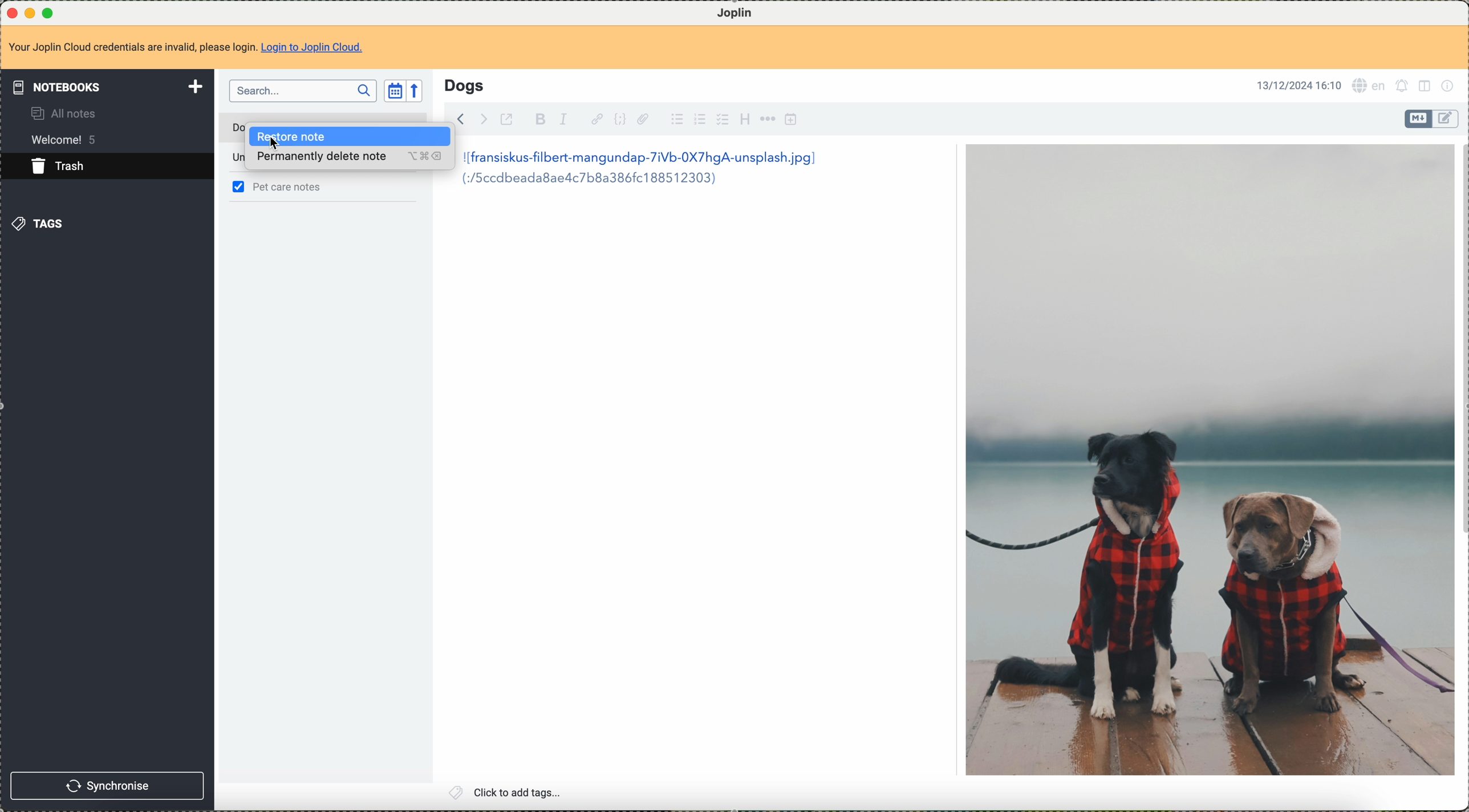 The image size is (1469, 812). Describe the element at coordinates (563, 120) in the screenshot. I see `italic` at that location.